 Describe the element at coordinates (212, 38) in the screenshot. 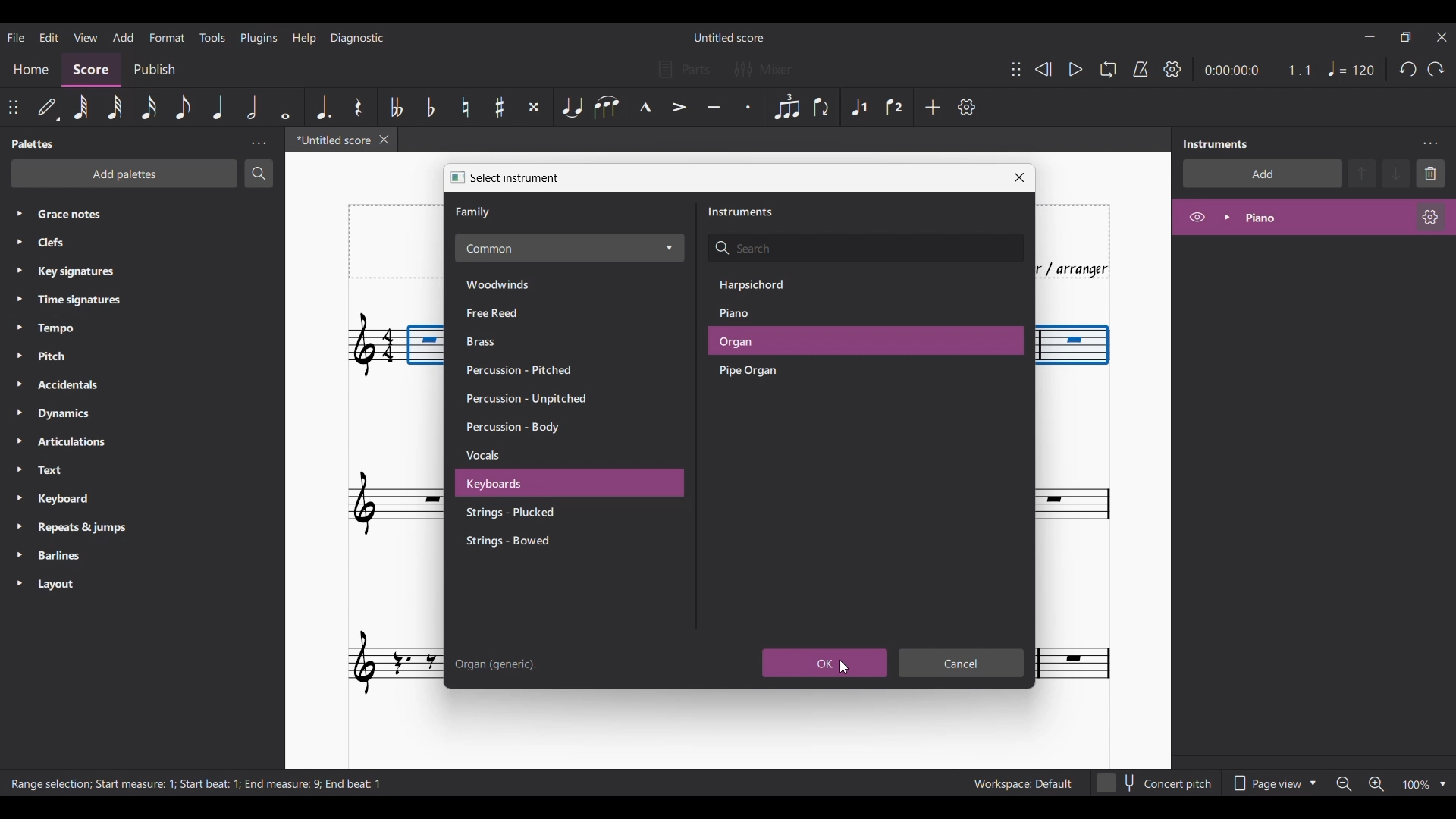

I see `Tools menu` at that location.